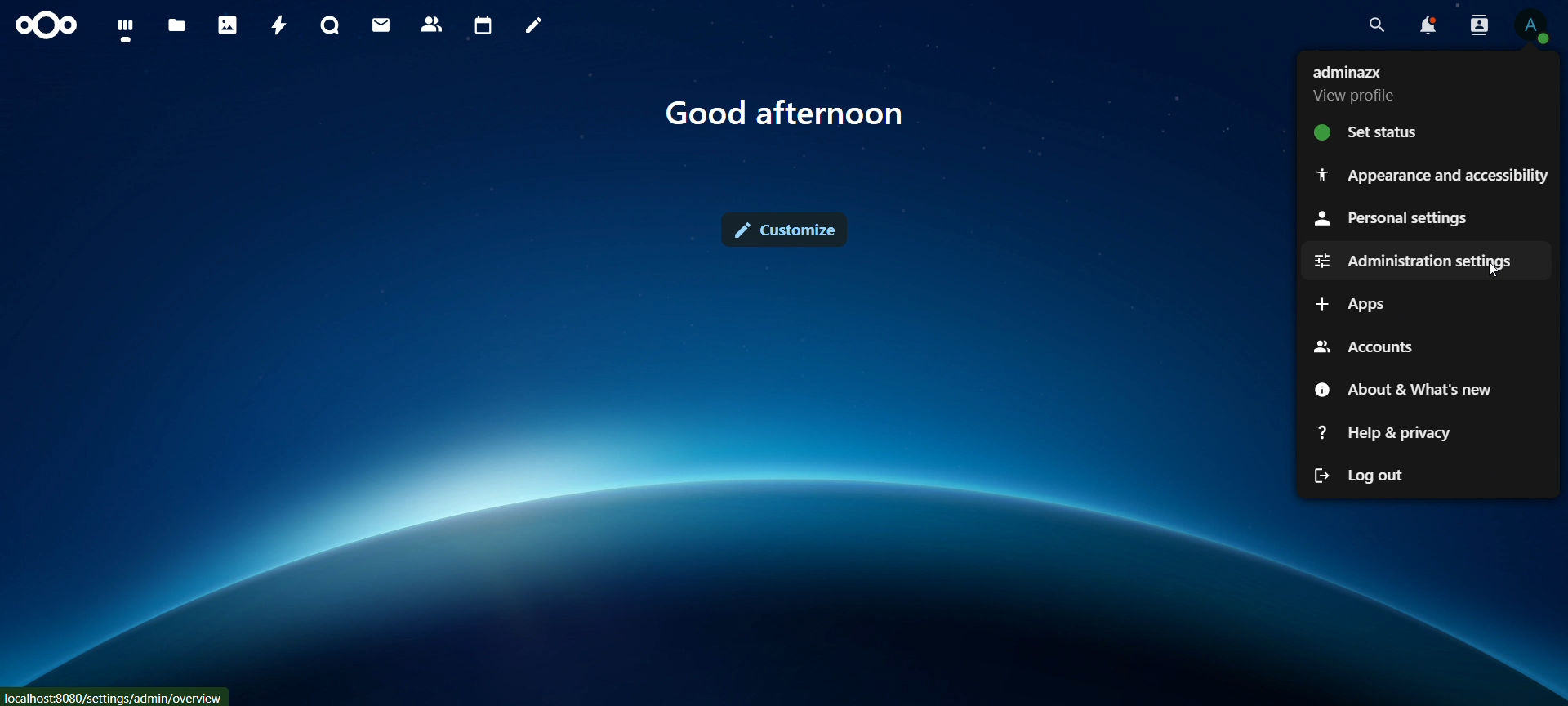 Image resolution: width=1568 pixels, height=706 pixels. I want to click on administration, so click(1405, 261).